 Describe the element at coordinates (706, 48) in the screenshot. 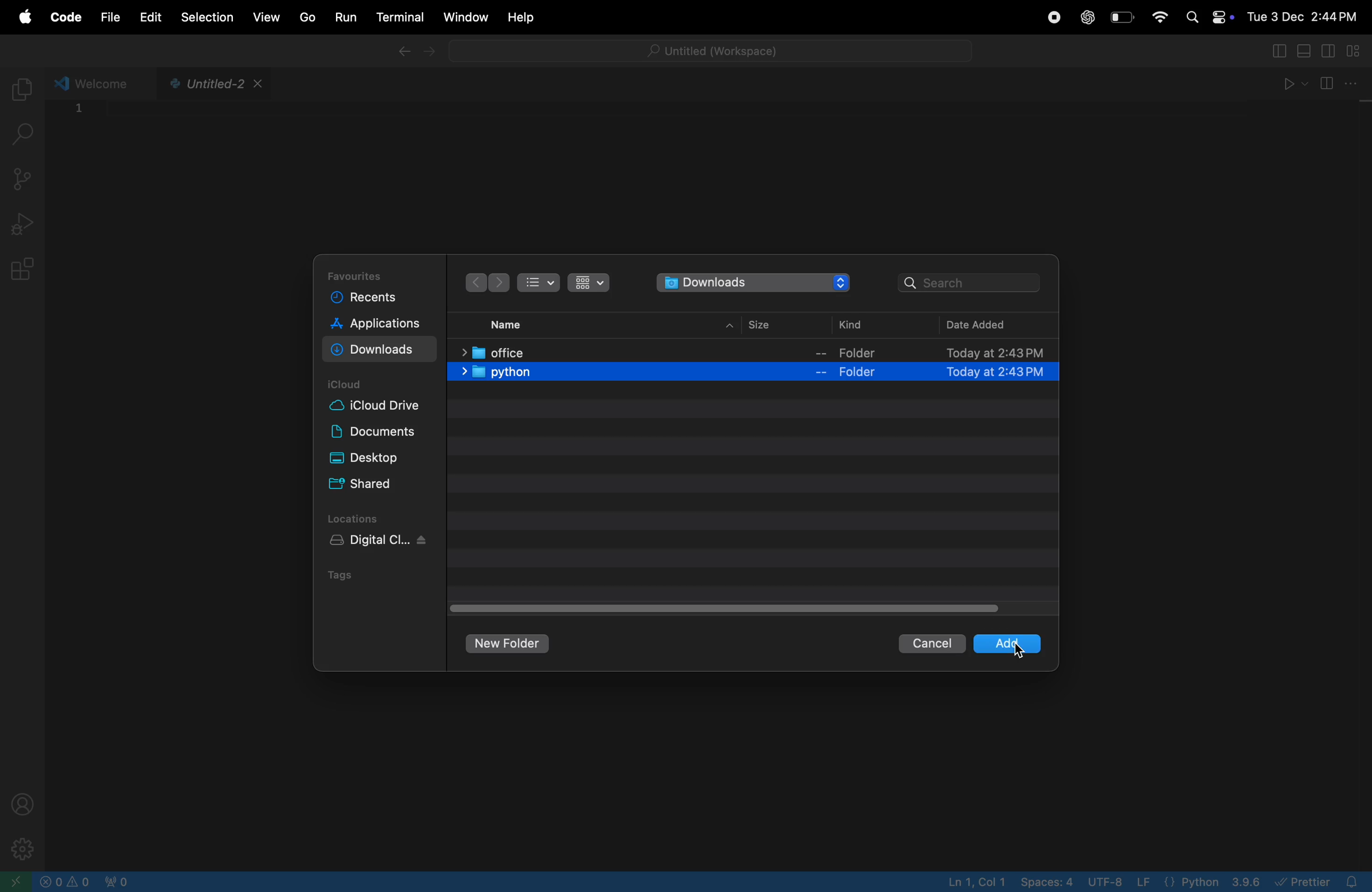

I see `untitled workspace` at that location.